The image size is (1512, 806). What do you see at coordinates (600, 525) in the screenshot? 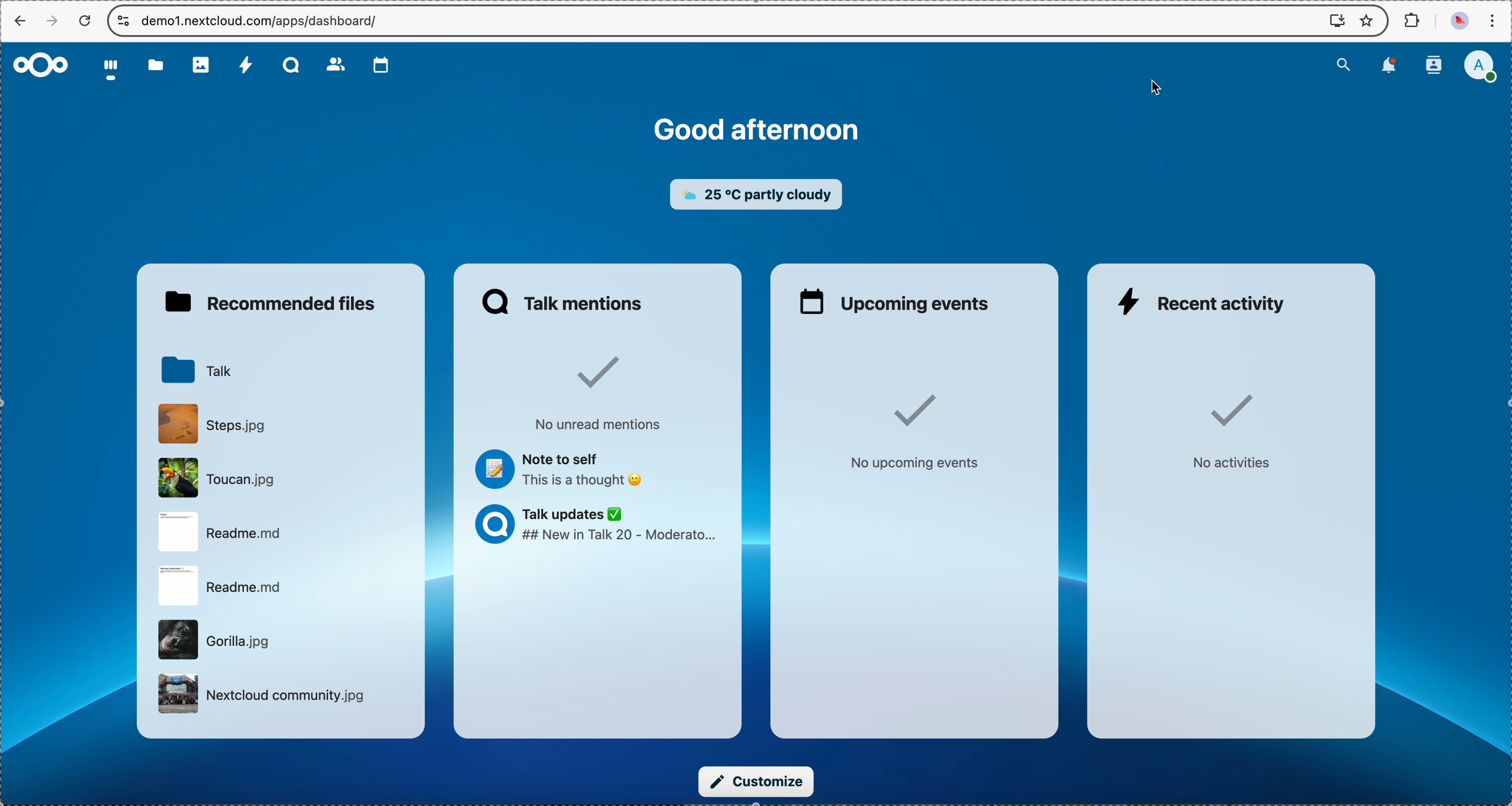
I see `Talk updates` at bounding box center [600, 525].